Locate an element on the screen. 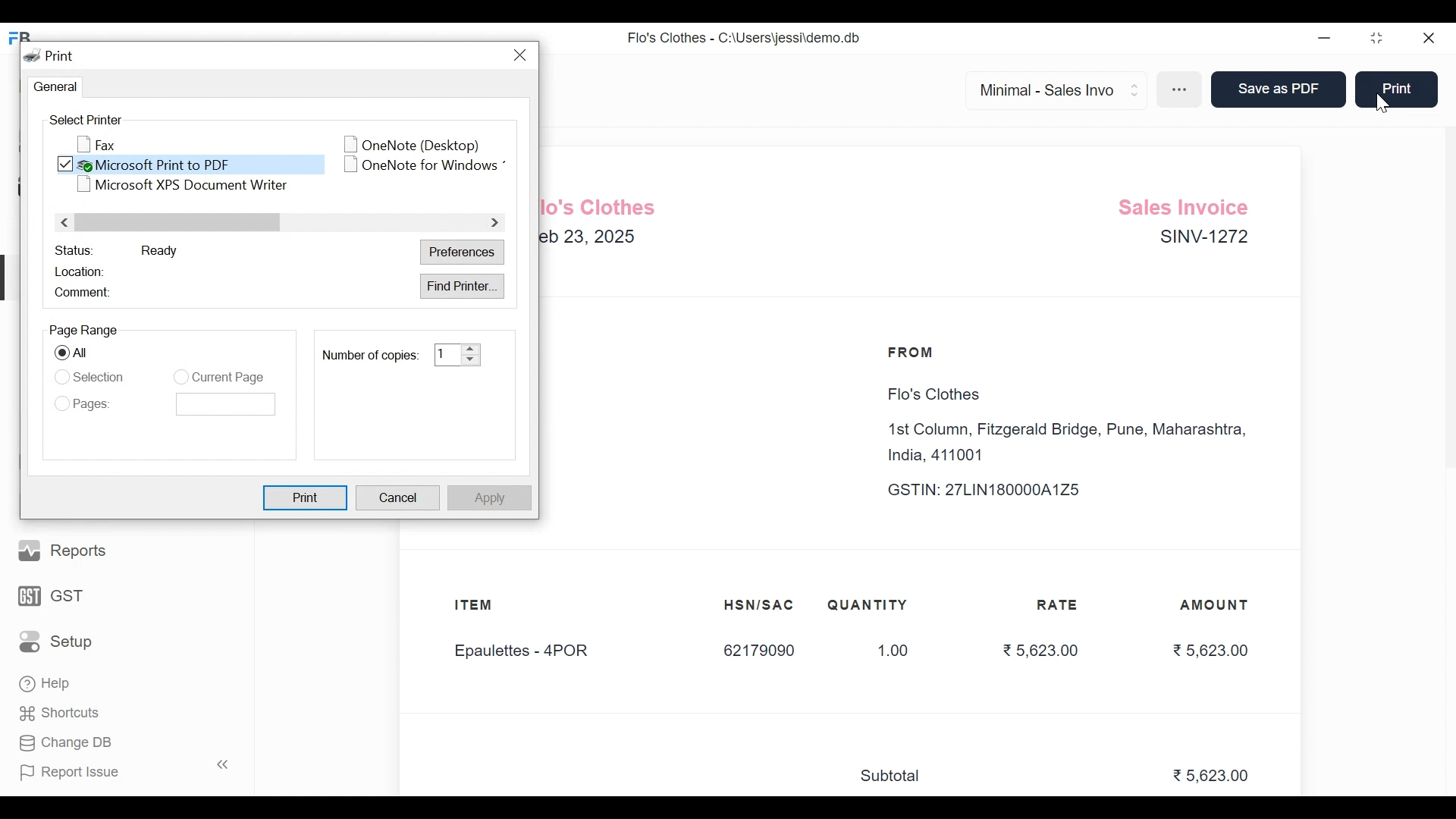 The height and width of the screenshot is (819, 1456). 5,623.00 is located at coordinates (1039, 649).